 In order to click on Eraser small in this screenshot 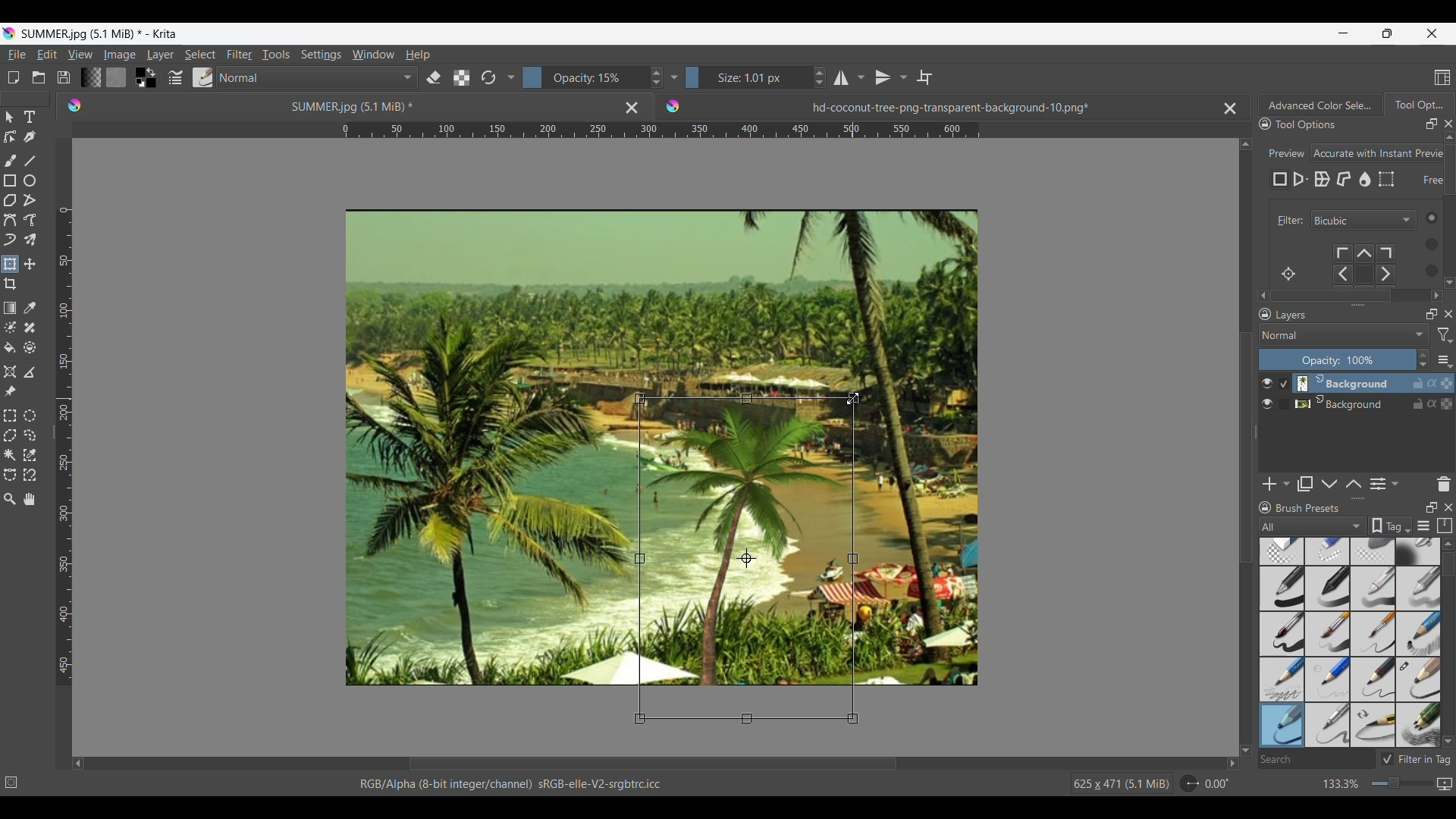, I will do `click(1328, 551)`.